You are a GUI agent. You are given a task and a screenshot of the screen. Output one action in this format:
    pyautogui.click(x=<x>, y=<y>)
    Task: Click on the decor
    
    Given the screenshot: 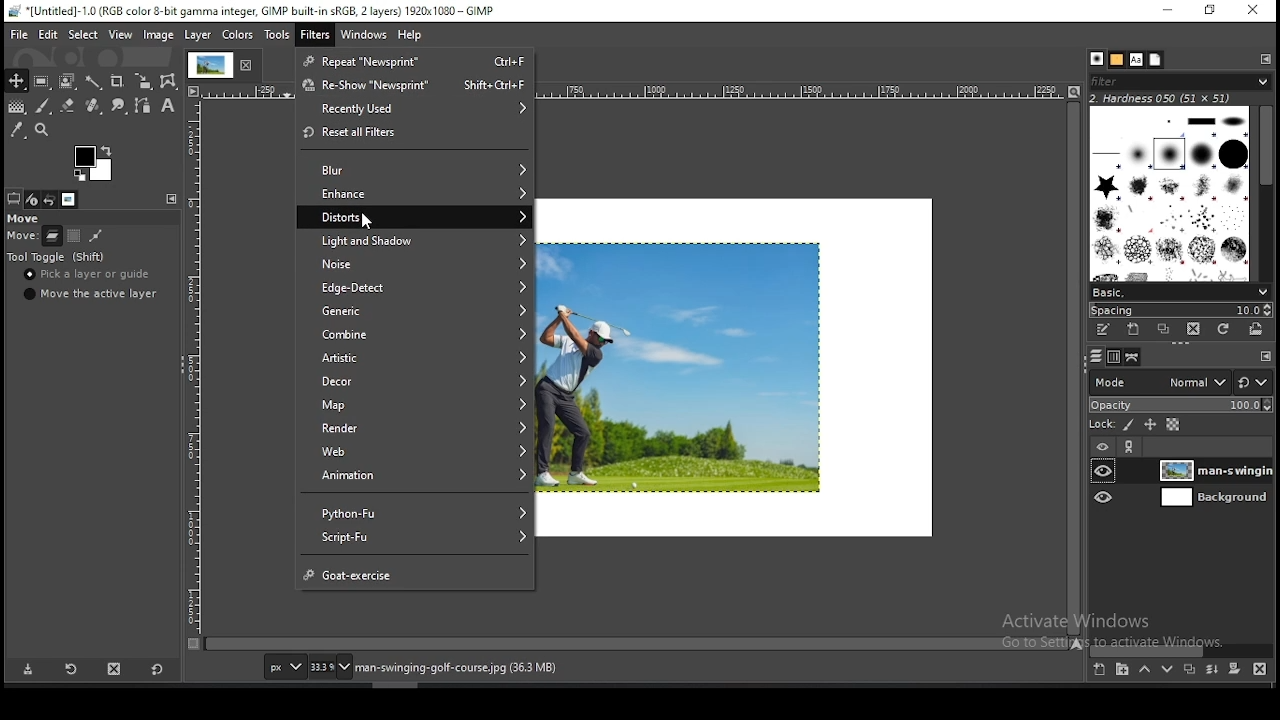 What is the action you would take?
    pyautogui.click(x=414, y=383)
    